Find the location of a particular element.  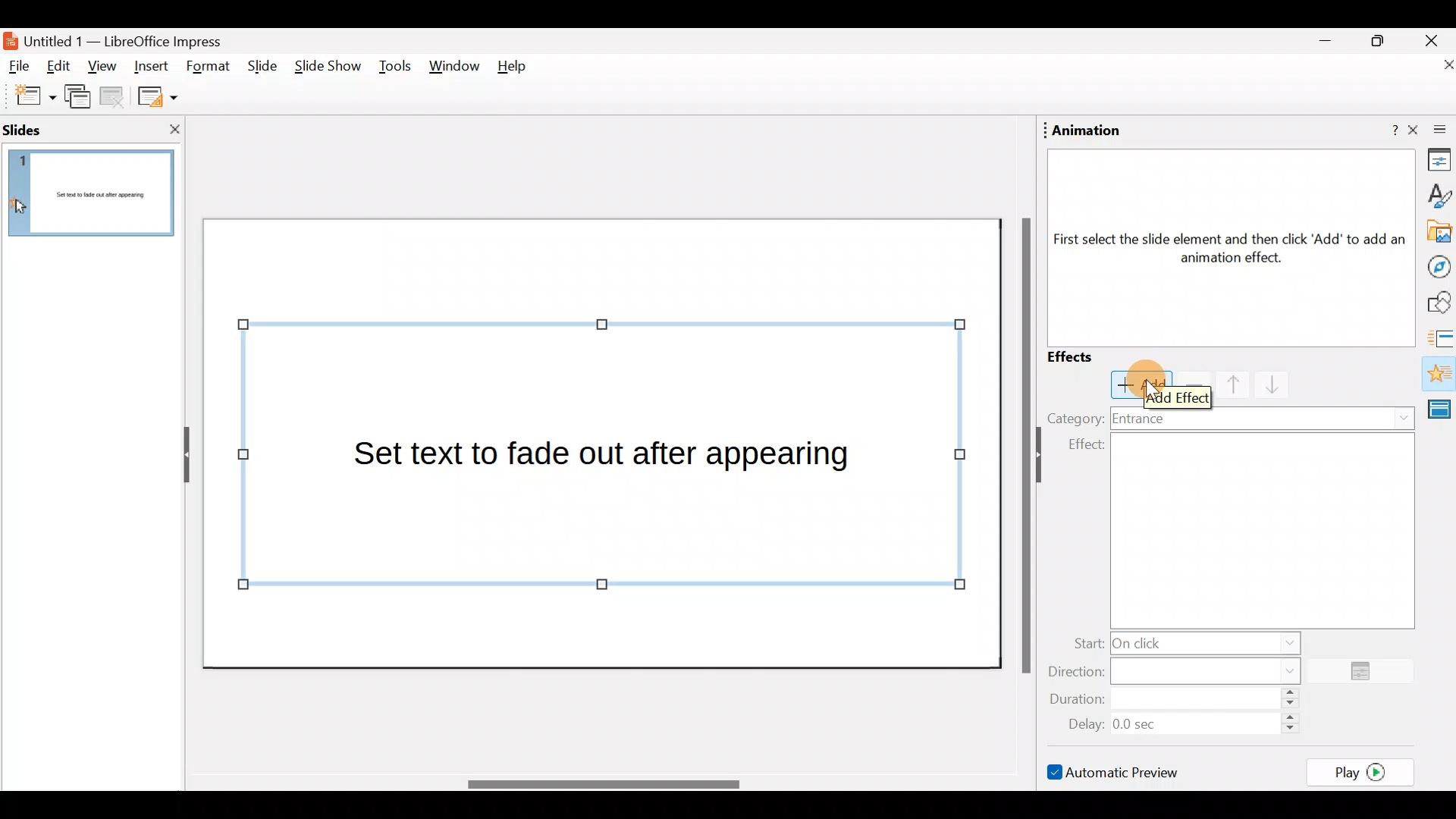

Maximise is located at coordinates (1383, 41).